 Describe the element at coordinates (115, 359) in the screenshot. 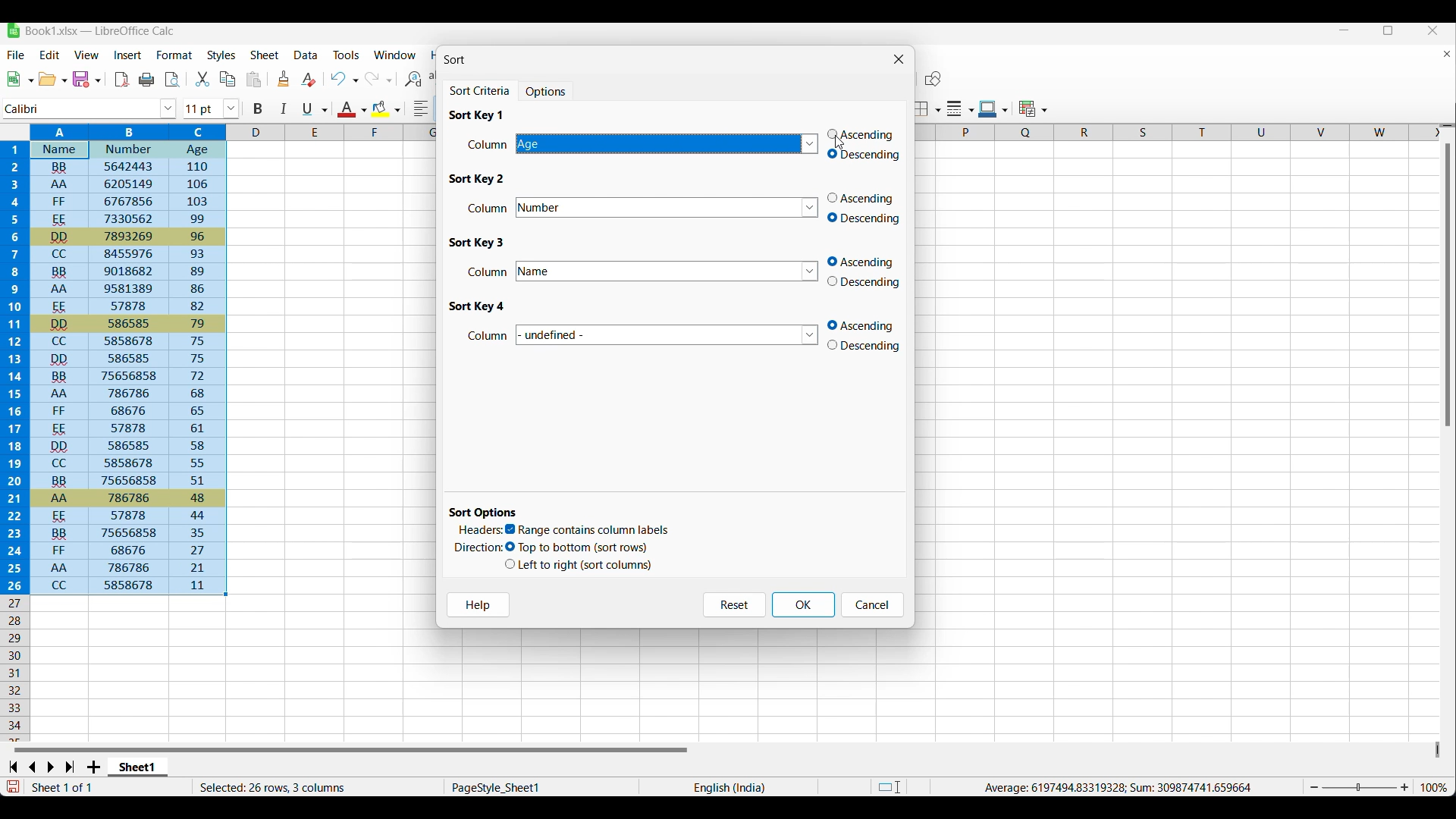

I see `Current selection highlighted` at that location.